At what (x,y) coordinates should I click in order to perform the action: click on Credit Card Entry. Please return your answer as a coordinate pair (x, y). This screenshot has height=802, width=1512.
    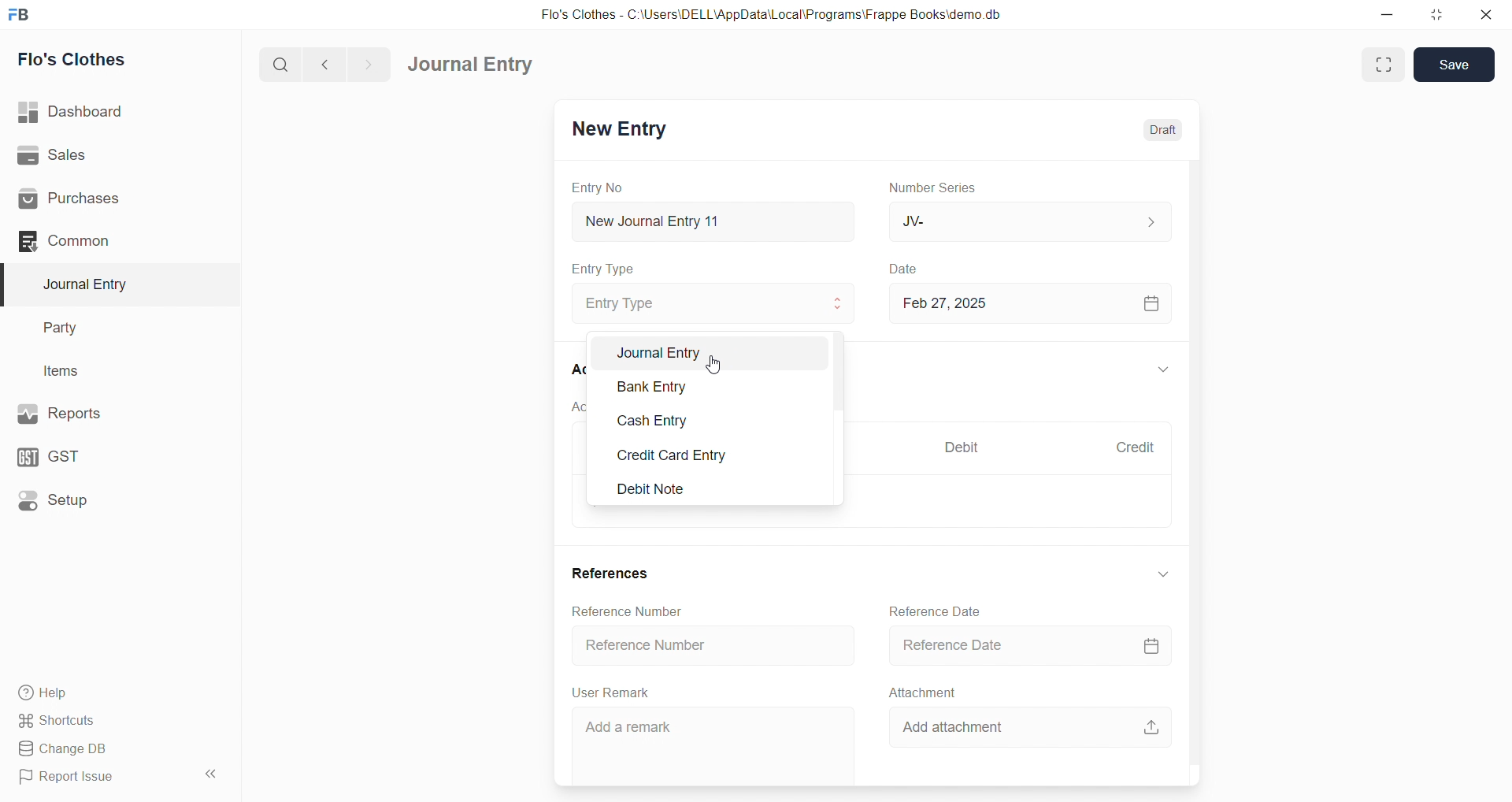
    Looking at the image, I should click on (673, 455).